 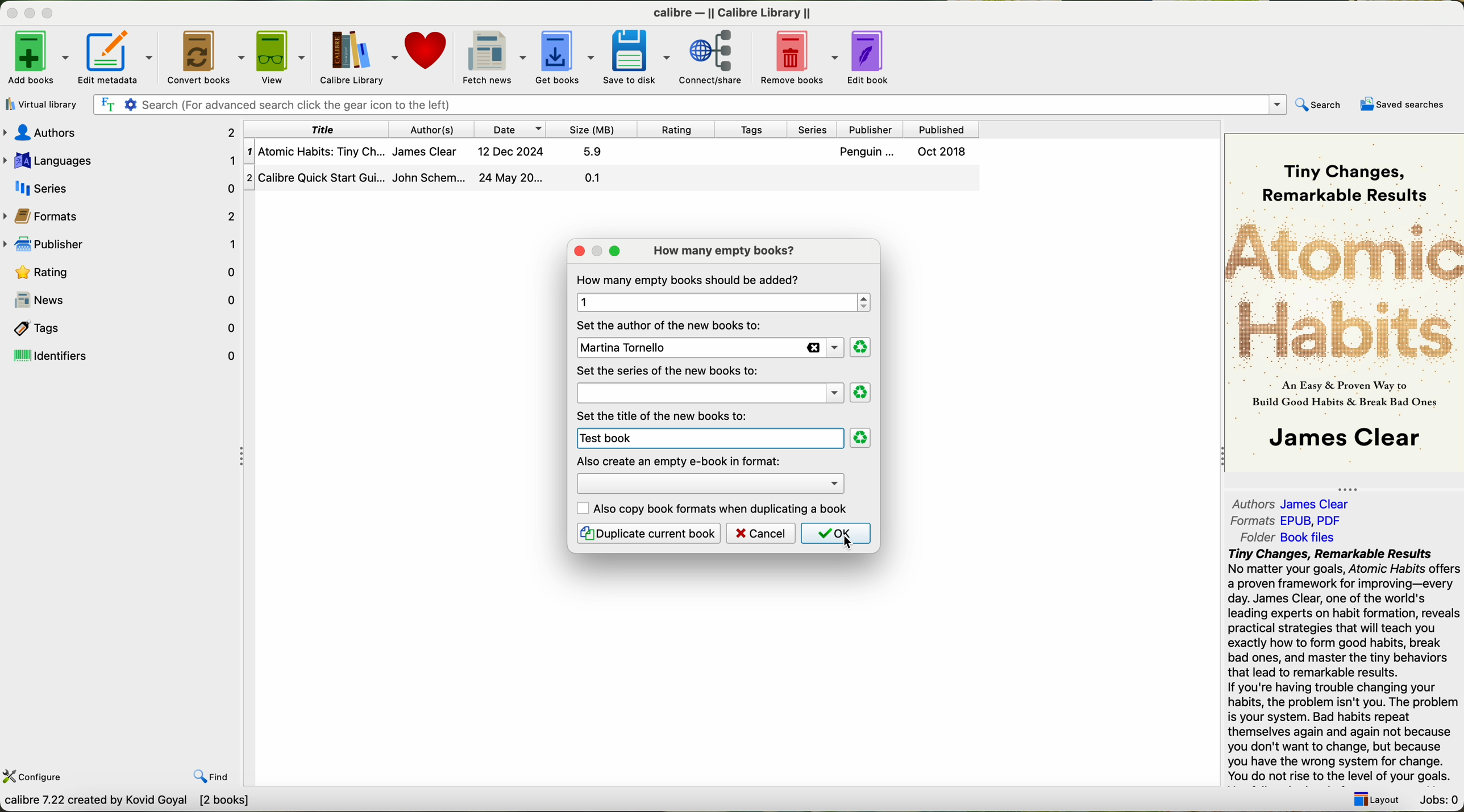 What do you see at coordinates (860, 348) in the screenshot?
I see `clear` at bounding box center [860, 348].